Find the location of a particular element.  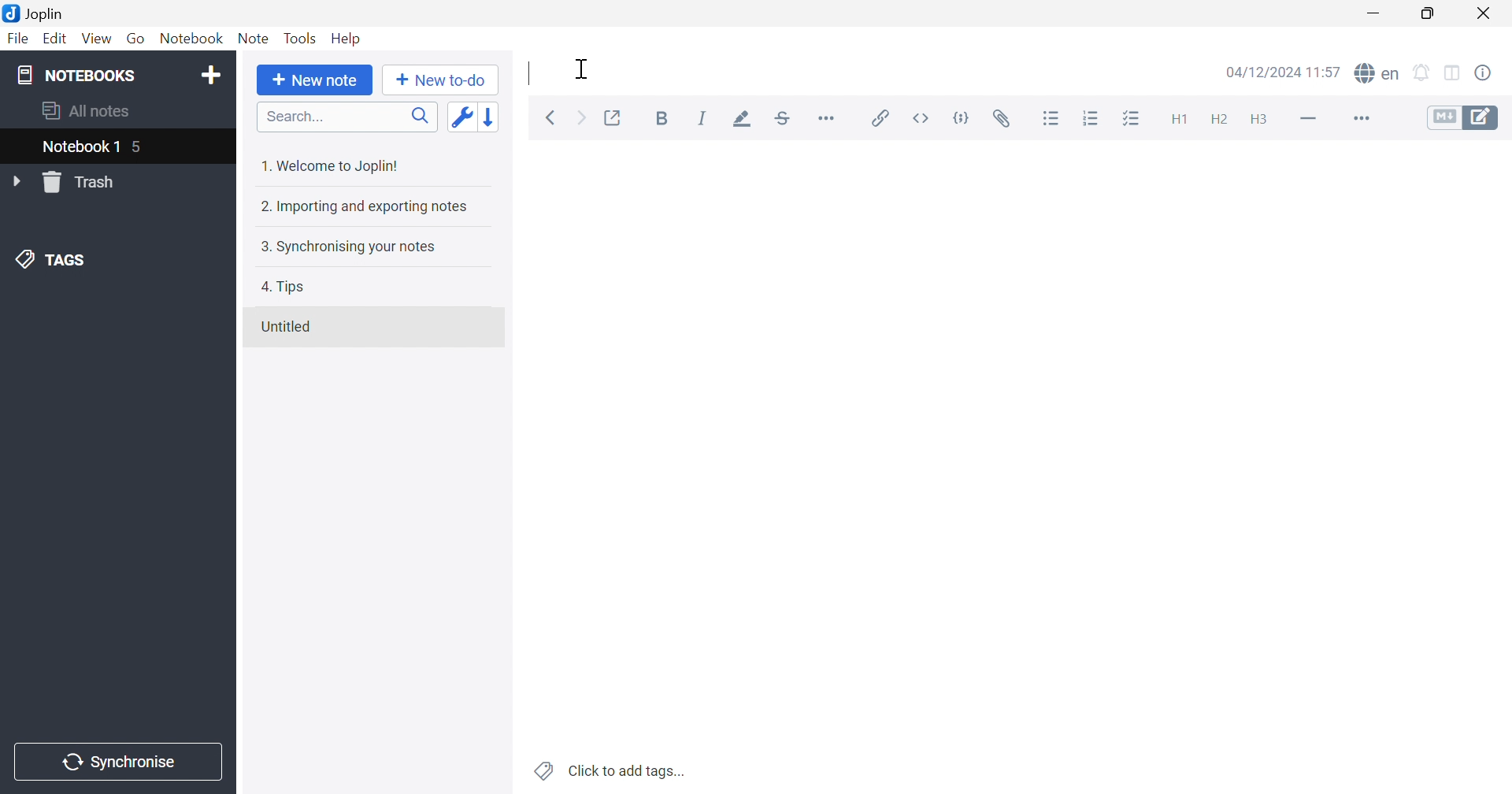

Heading 3 is located at coordinates (1260, 121).